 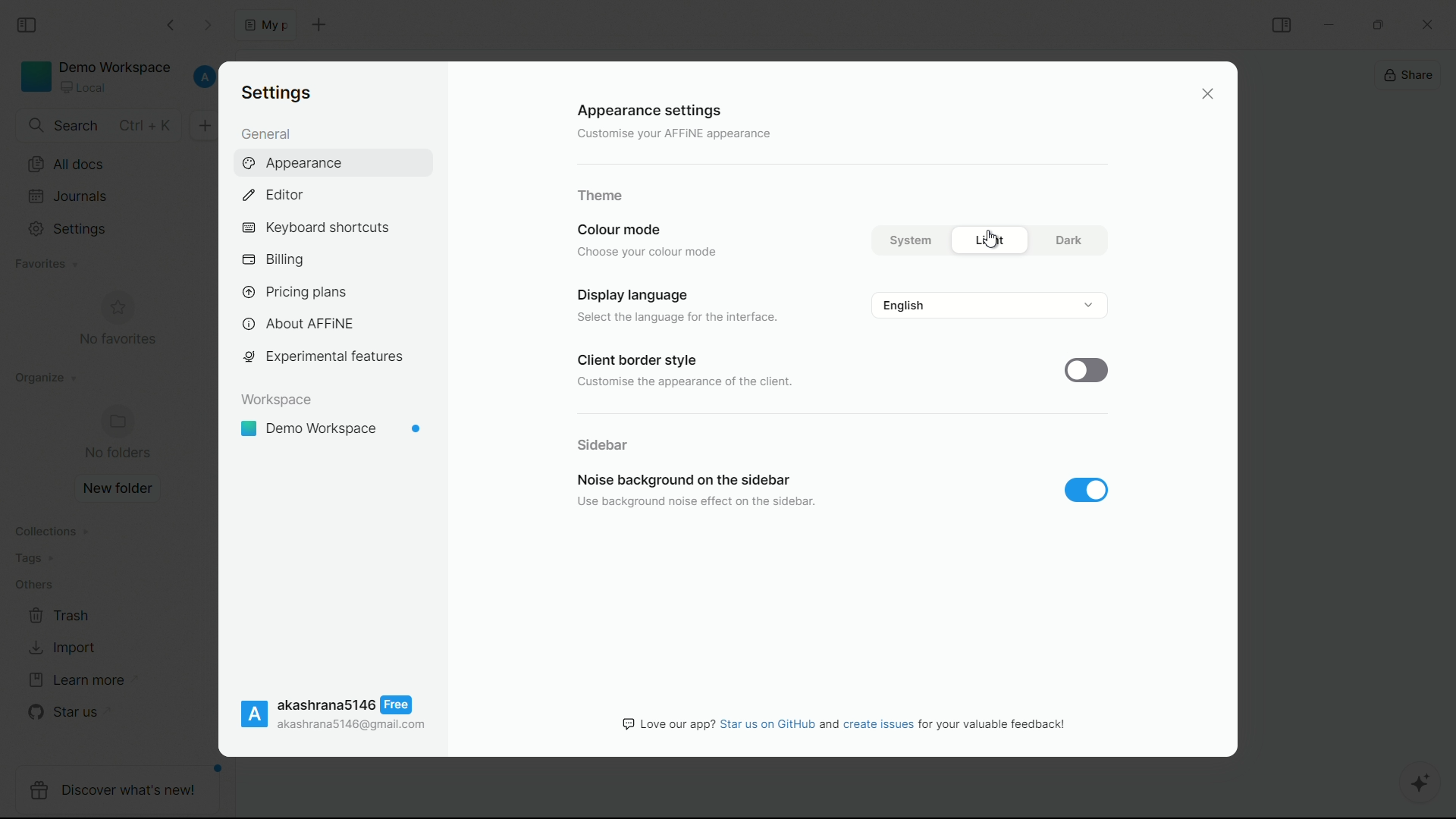 What do you see at coordinates (1087, 490) in the screenshot?
I see `toggle switch` at bounding box center [1087, 490].